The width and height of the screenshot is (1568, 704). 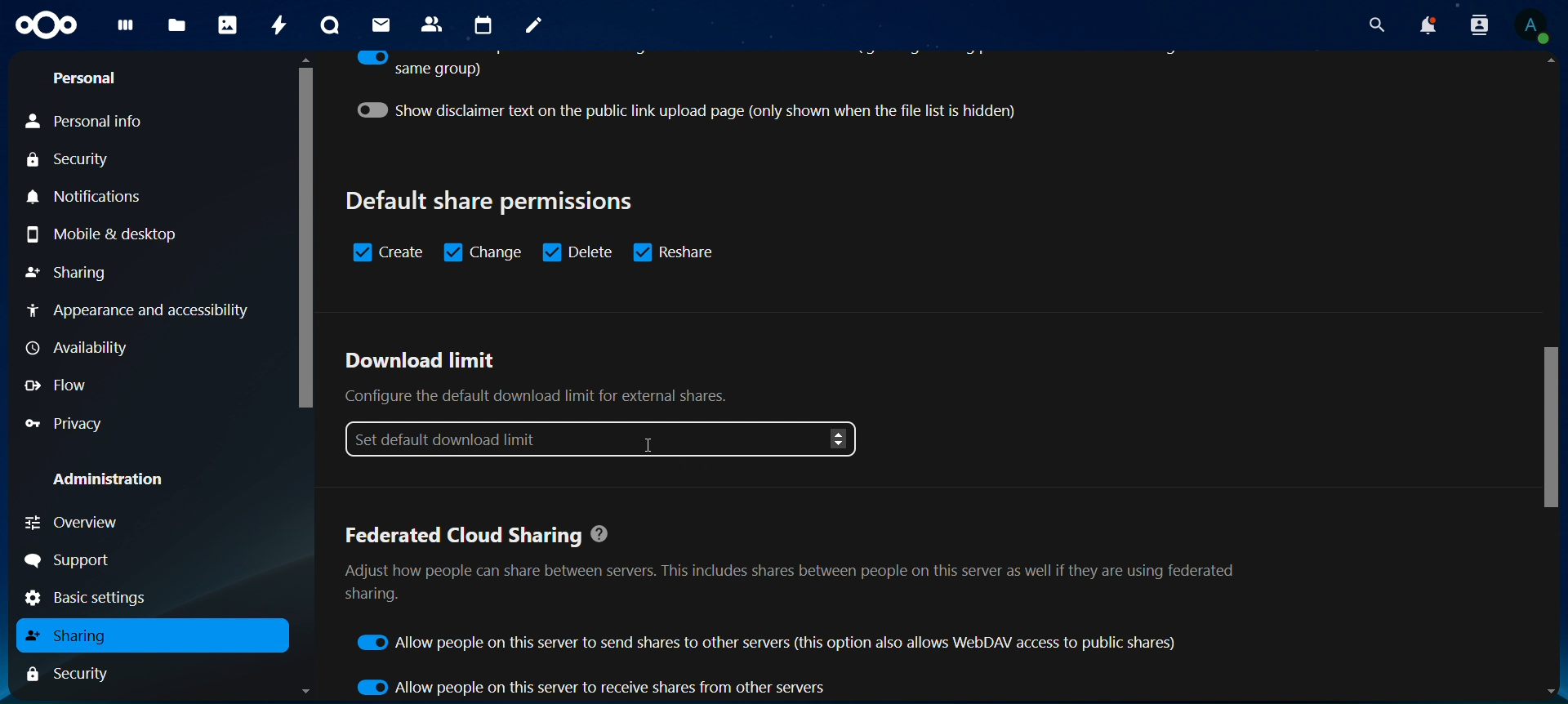 What do you see at coordinates (389, 252) in the screenshot?
I see `sreate ` at bounding box center [389, 252].